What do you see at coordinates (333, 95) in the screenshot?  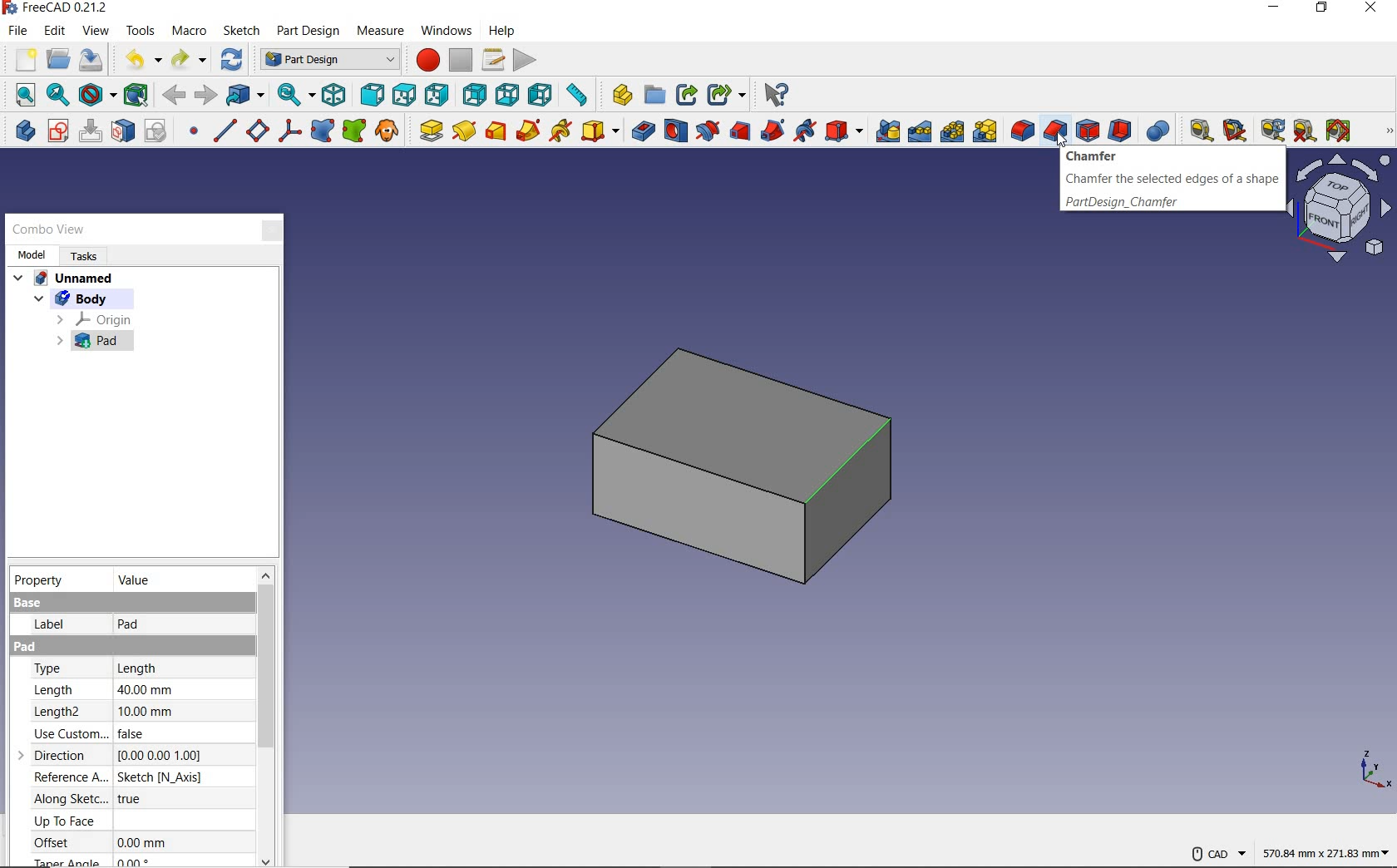 I see `isometric` at bounding box center [333, 95].